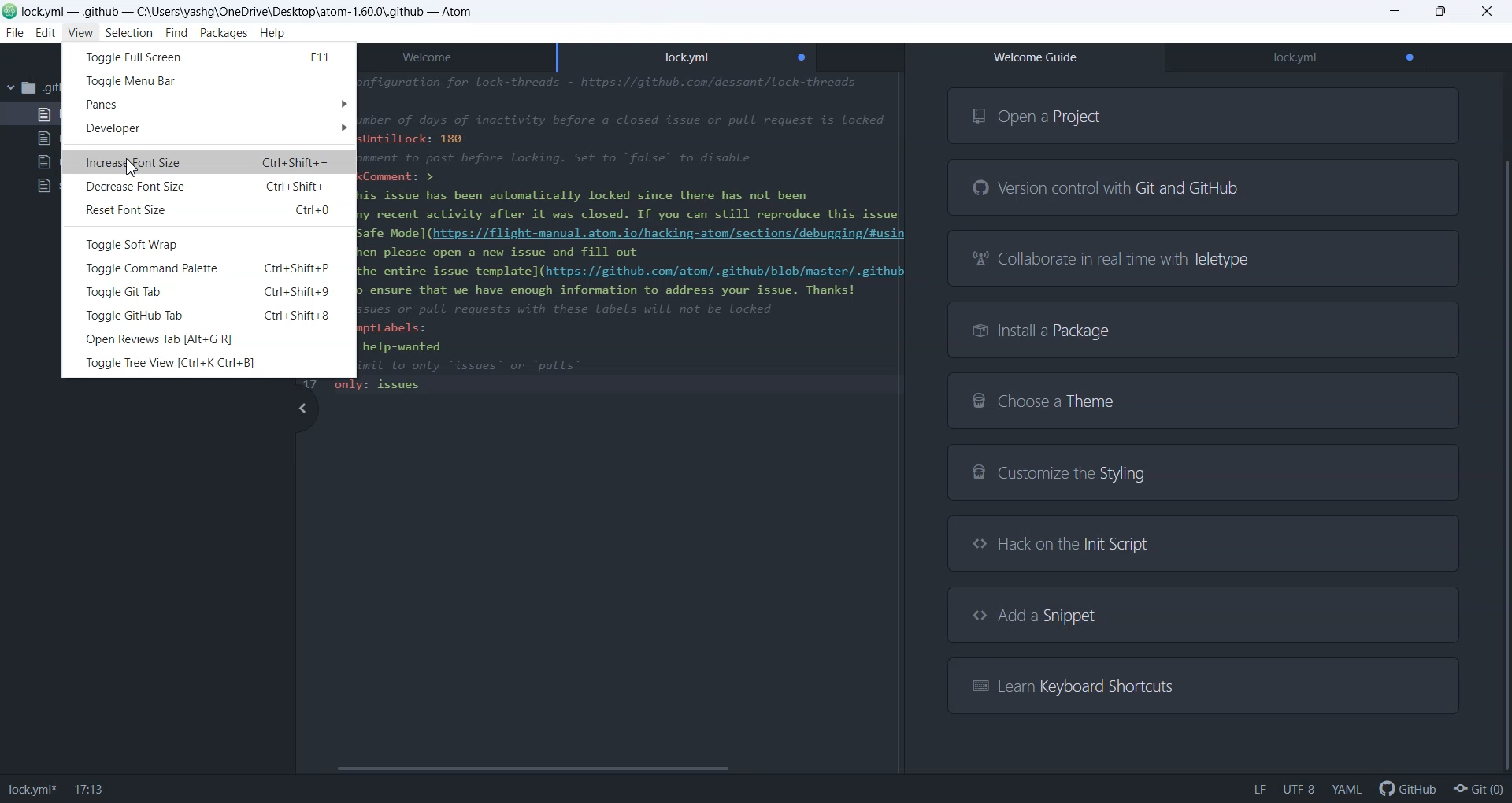 The image size is (1512, 803). What do you see at coordinates (209, 187) in the screenshot?
I see `Decreased font size` at bounding box center [209, 187].